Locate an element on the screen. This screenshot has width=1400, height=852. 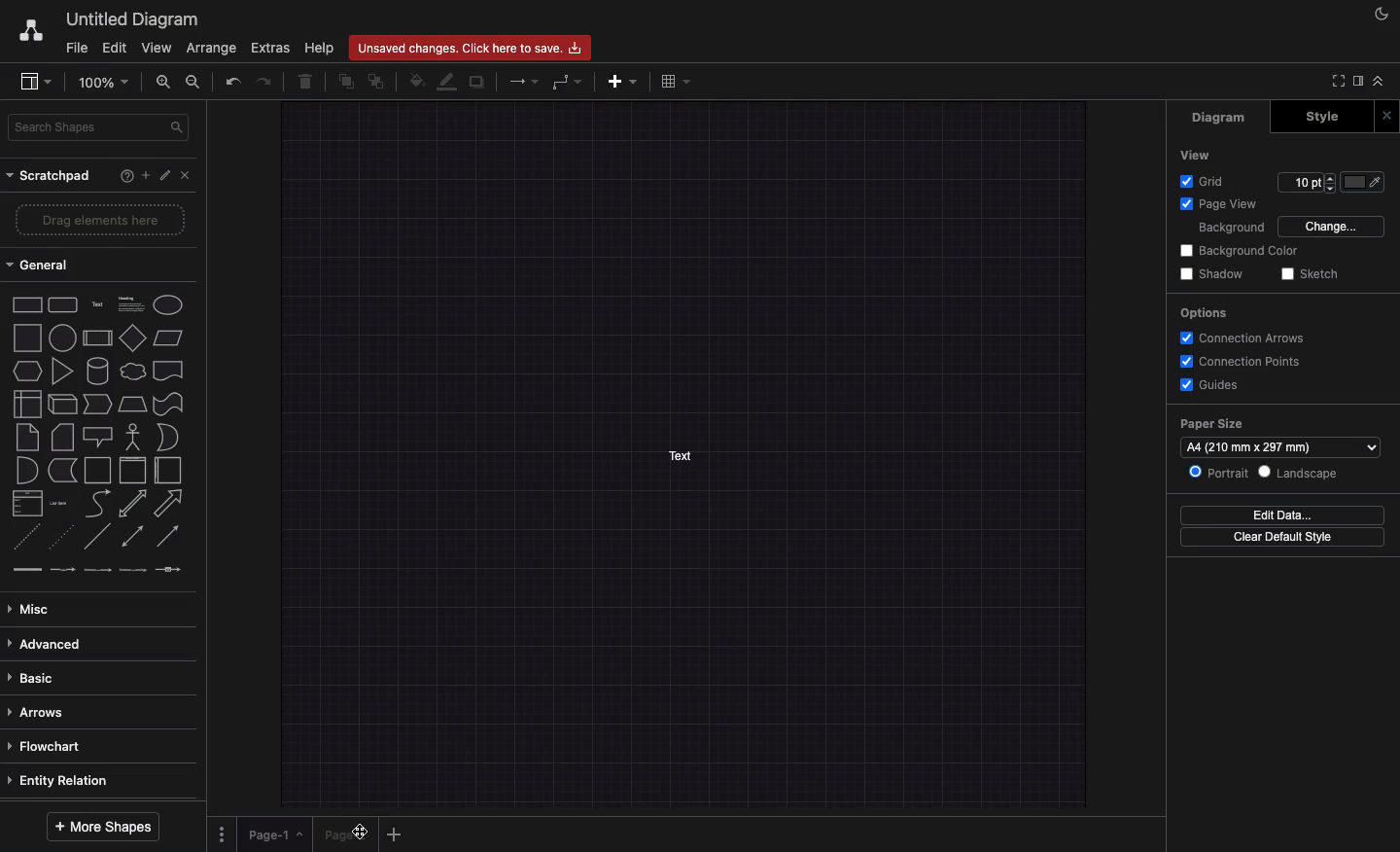
File is located at coordinates (78, 49).